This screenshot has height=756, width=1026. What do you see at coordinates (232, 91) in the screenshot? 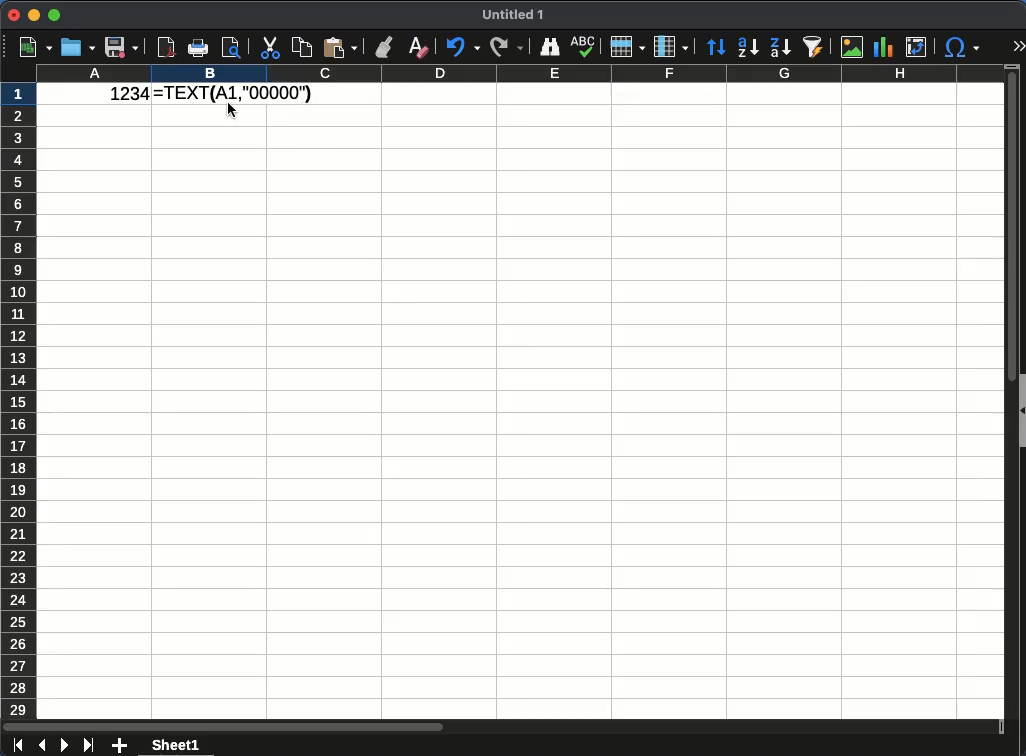
I see `=TEXT(A1, "00000")` at bounding box center [232, 91].